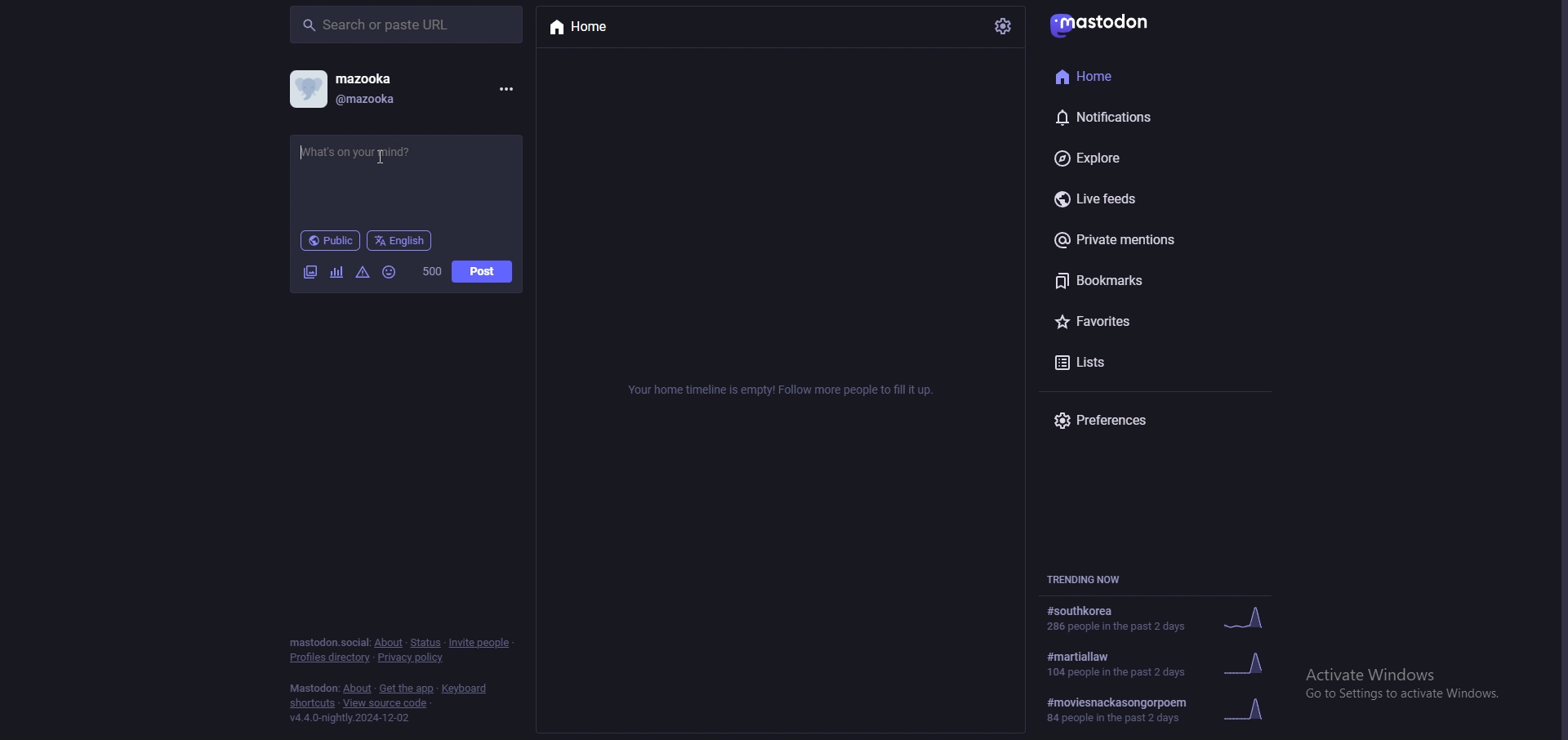 The width and height of the screenshot is (1568, 740). I want to click on favourites, so click(1138, 321).